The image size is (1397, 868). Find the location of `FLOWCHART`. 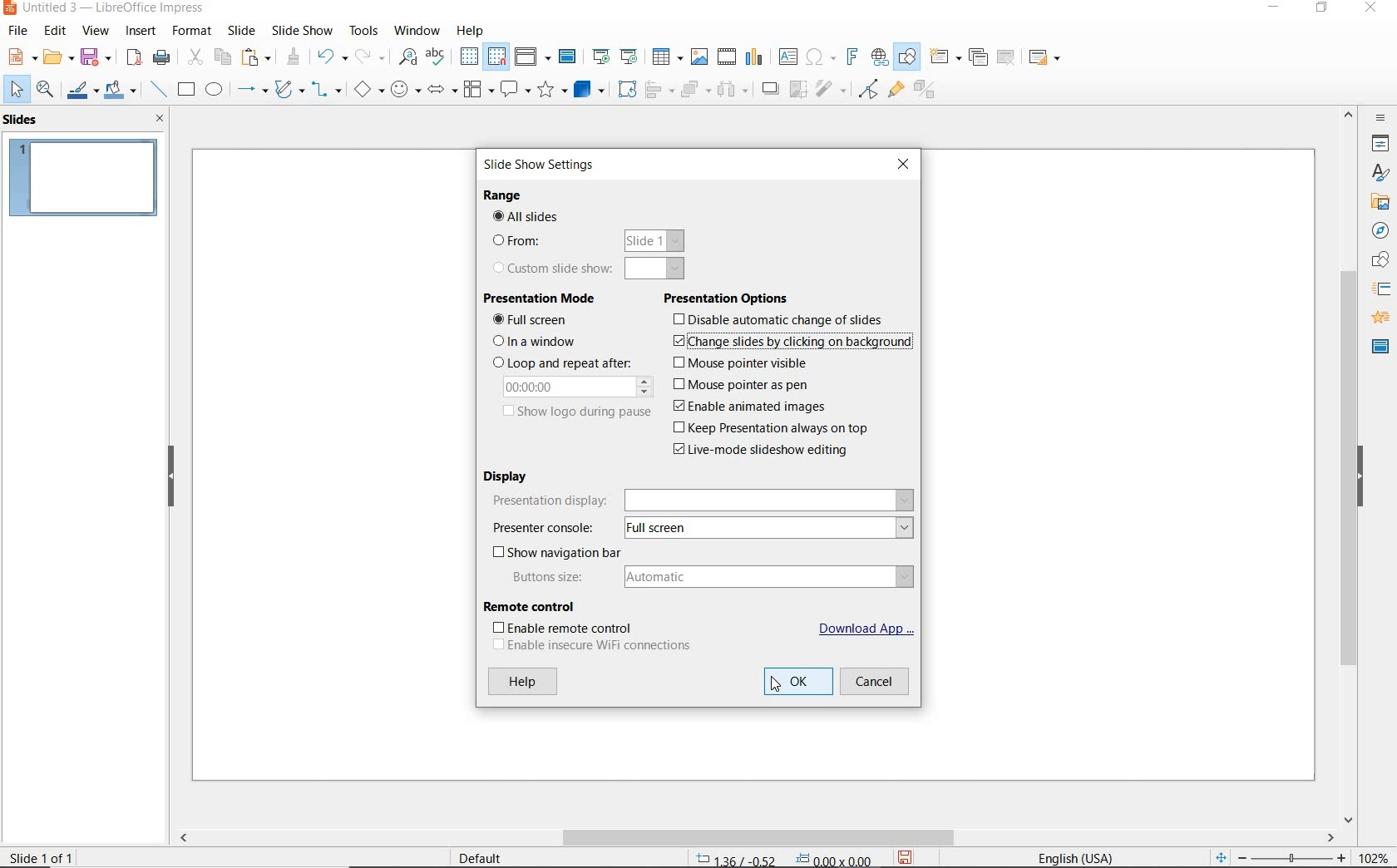

FLOWCHART is located at coordinates (477, 90).